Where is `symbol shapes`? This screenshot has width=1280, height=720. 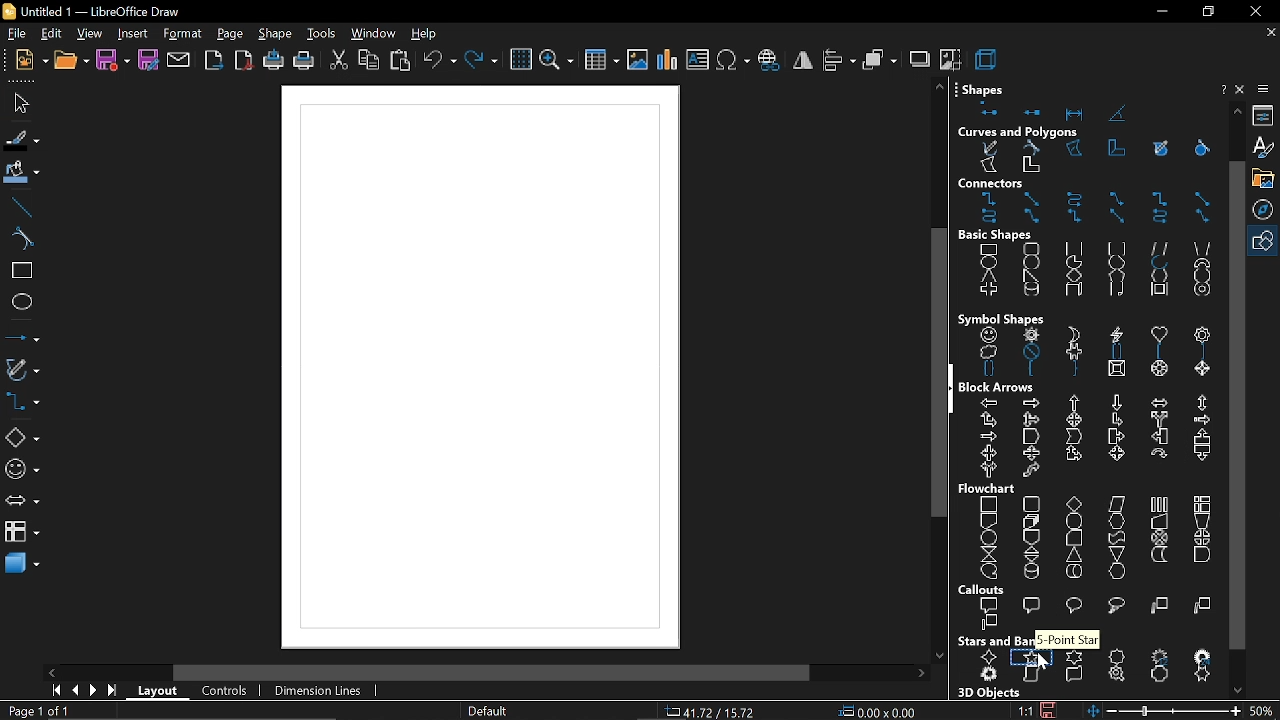
symbol shapes is located at coordinates (1005, 315).